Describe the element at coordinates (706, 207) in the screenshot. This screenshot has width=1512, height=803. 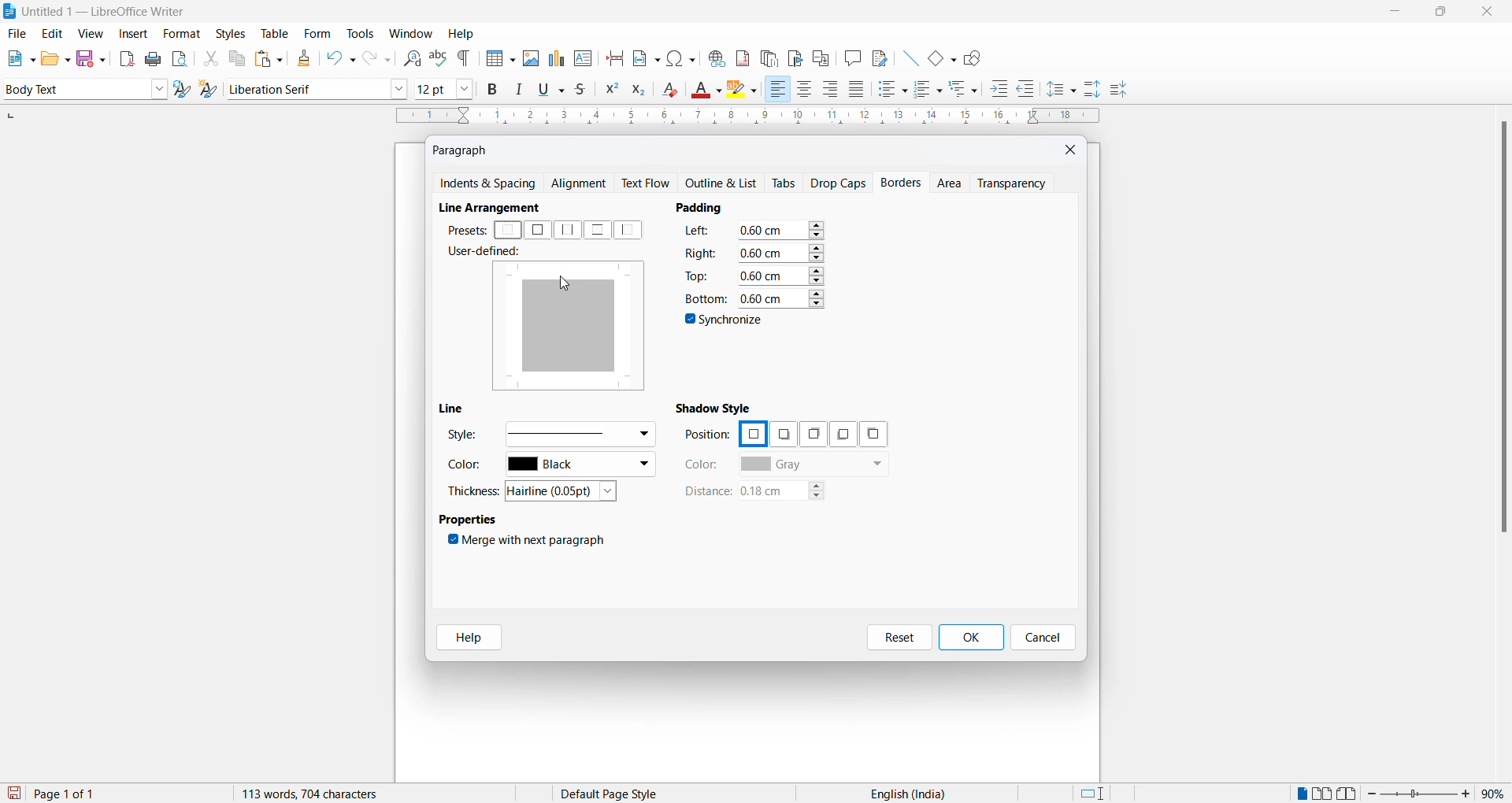
I see `padding` at that location.